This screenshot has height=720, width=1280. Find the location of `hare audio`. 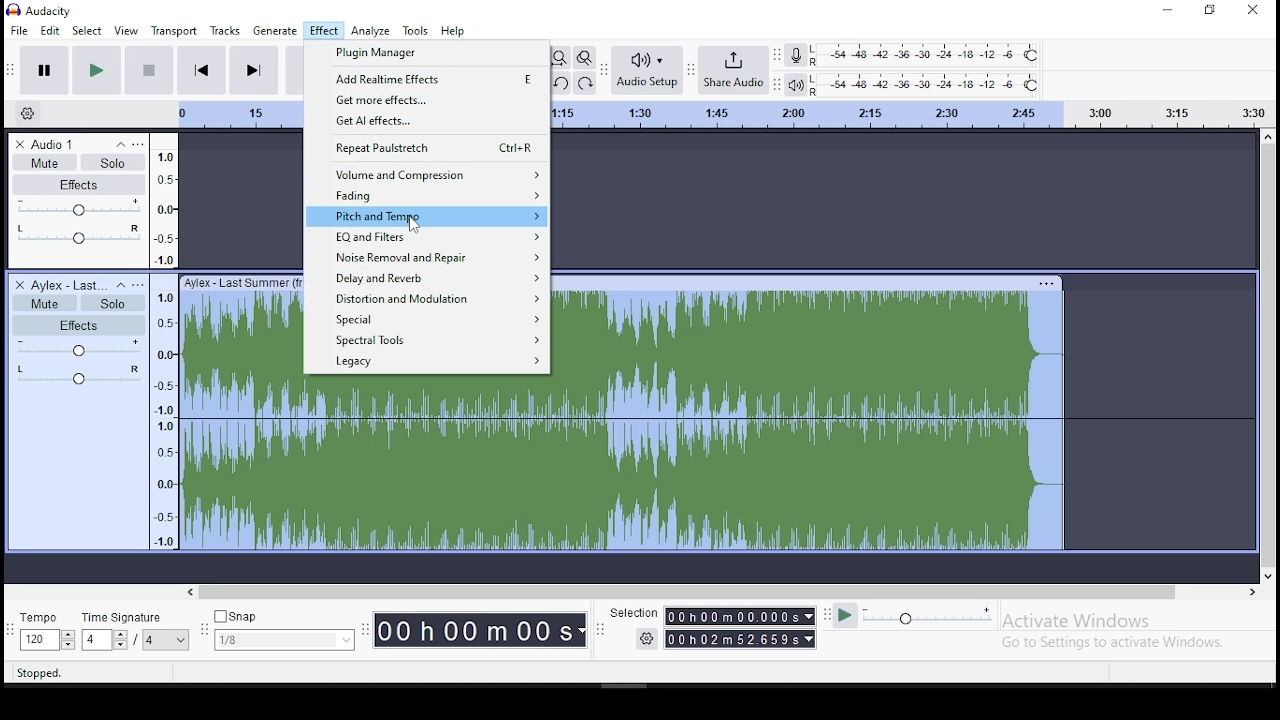

hare audio is located at coordinates (735, 71).